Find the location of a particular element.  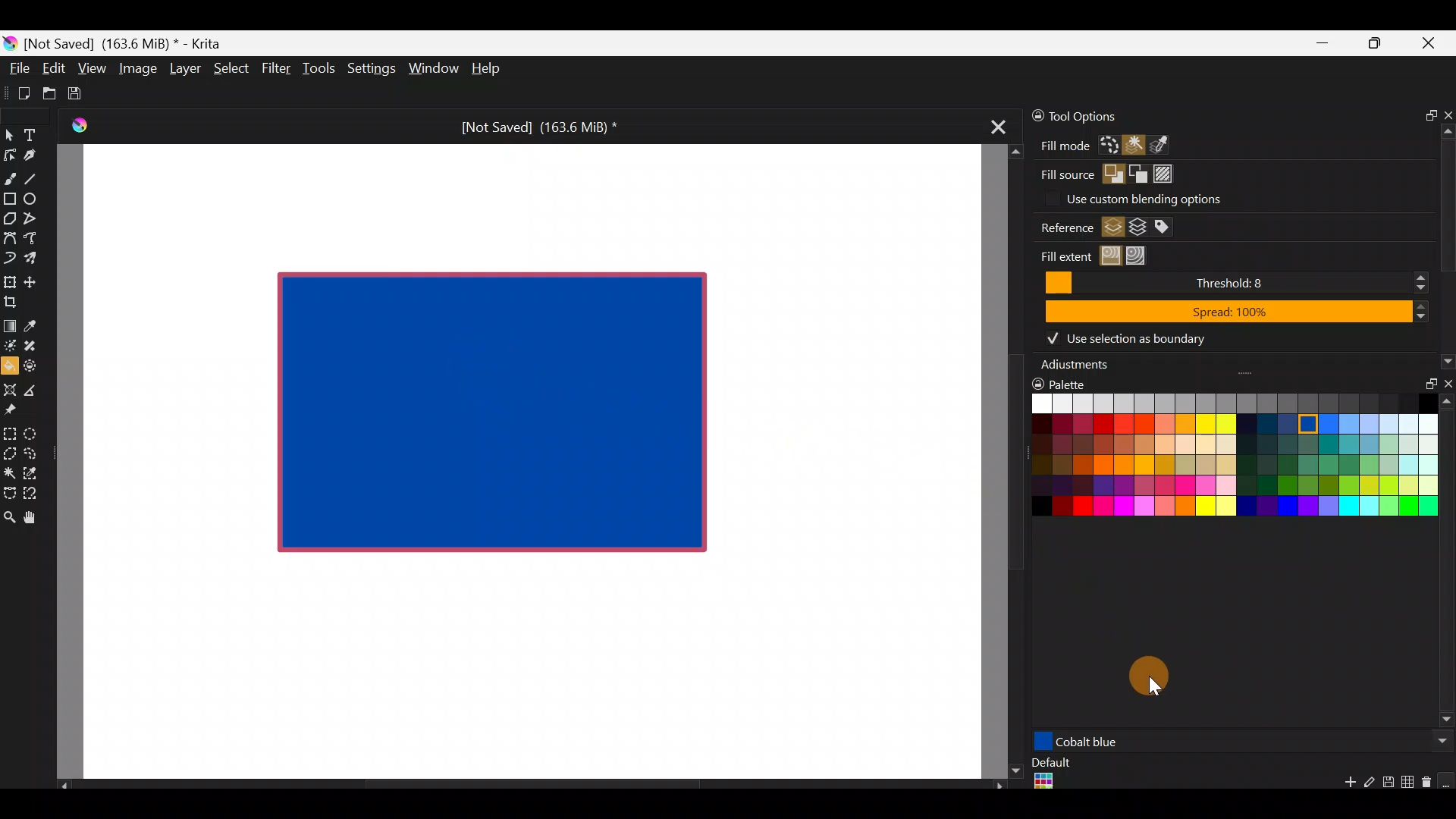

Background color is located at coordinates (1138, 172).